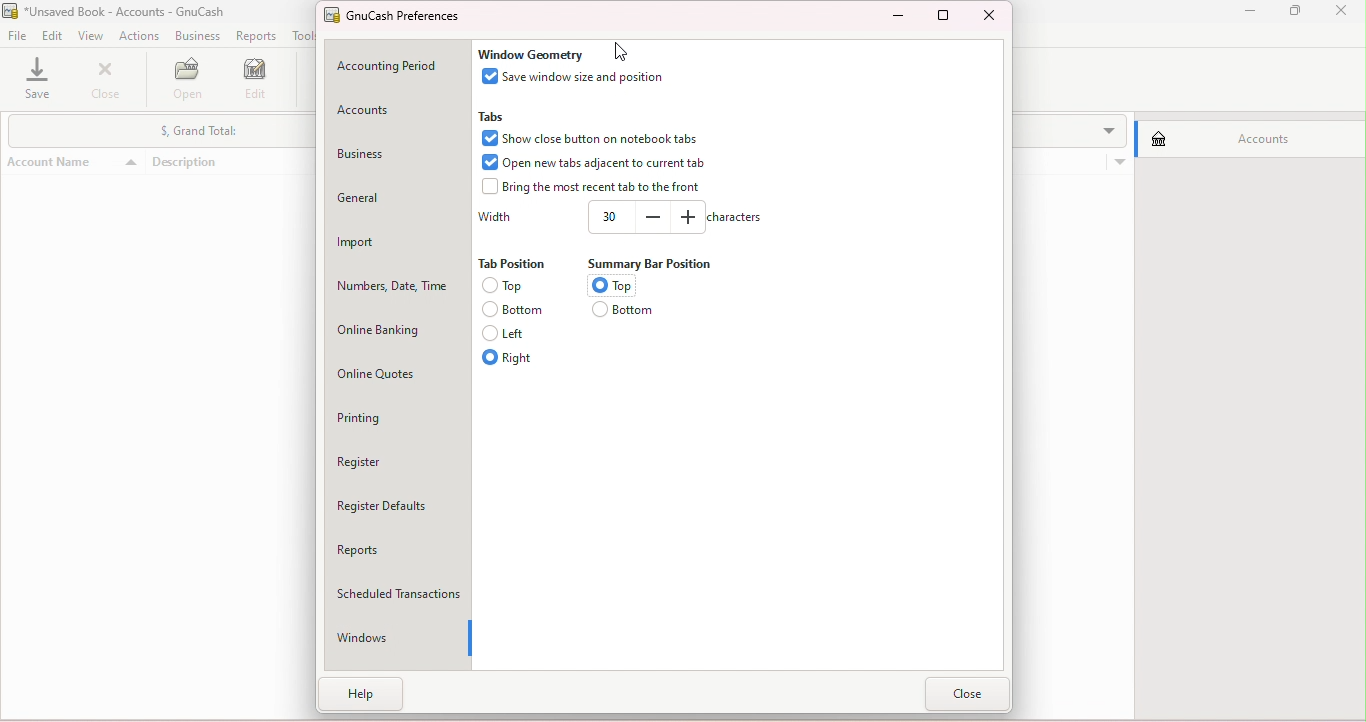  What do you see at coordinates (405, 593) in the screenshot?
I see `Scheduled Transaction` at bounding box center [405, 593].